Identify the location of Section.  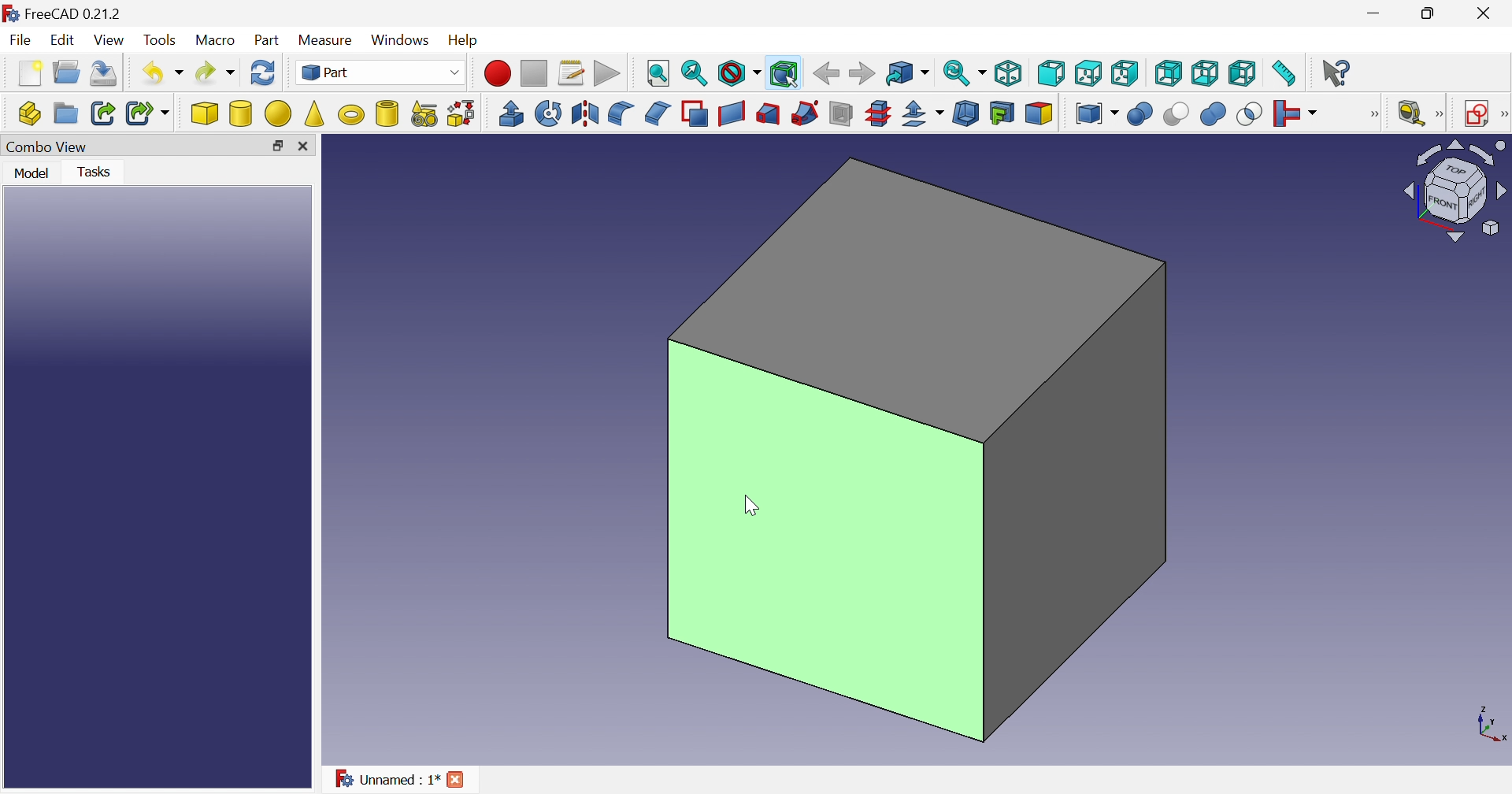
(841, 113).